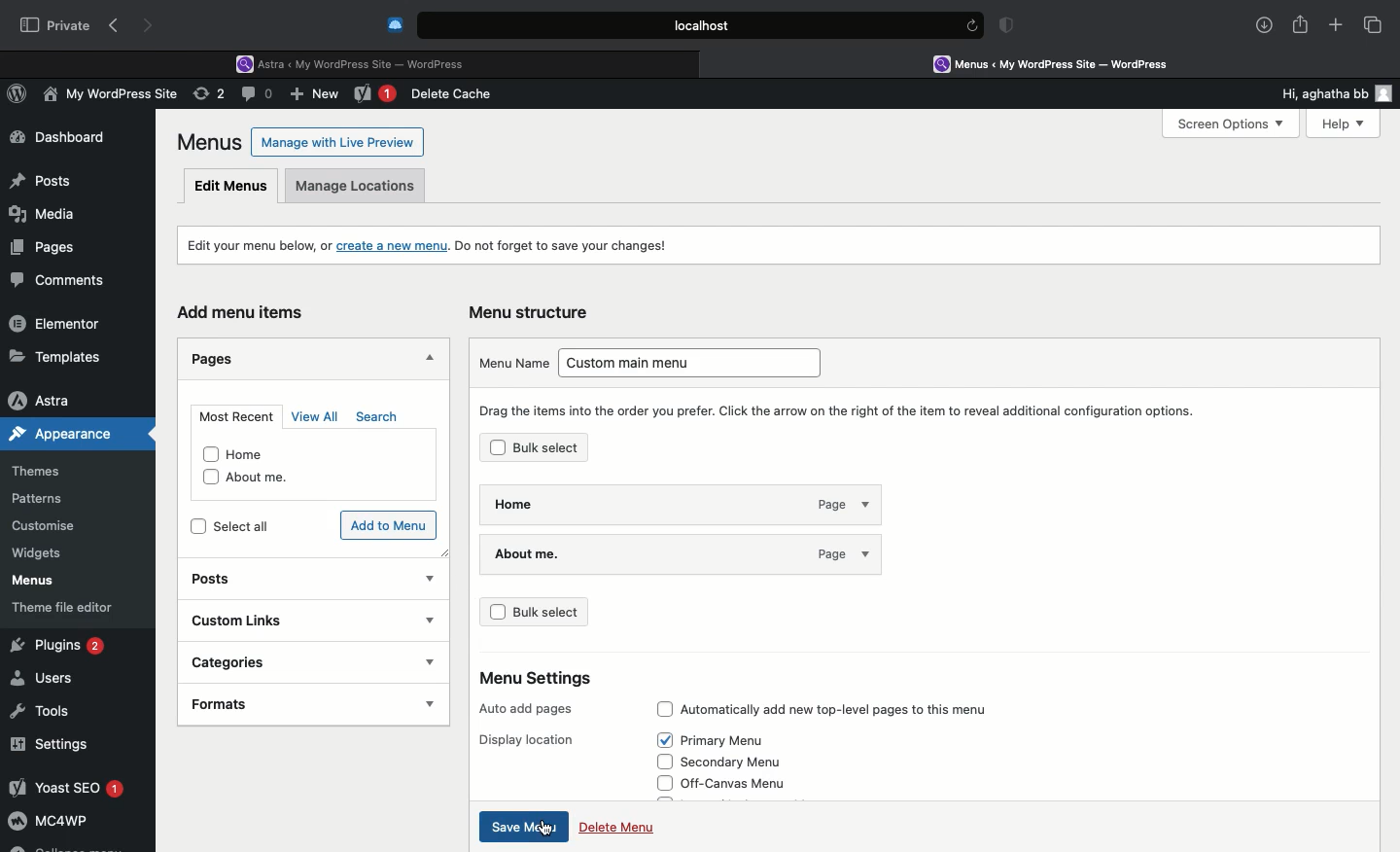  What do you see at coordinates (391, 524) in the screenshot?
I see `Add to menu` at bounding box center [391, 524].